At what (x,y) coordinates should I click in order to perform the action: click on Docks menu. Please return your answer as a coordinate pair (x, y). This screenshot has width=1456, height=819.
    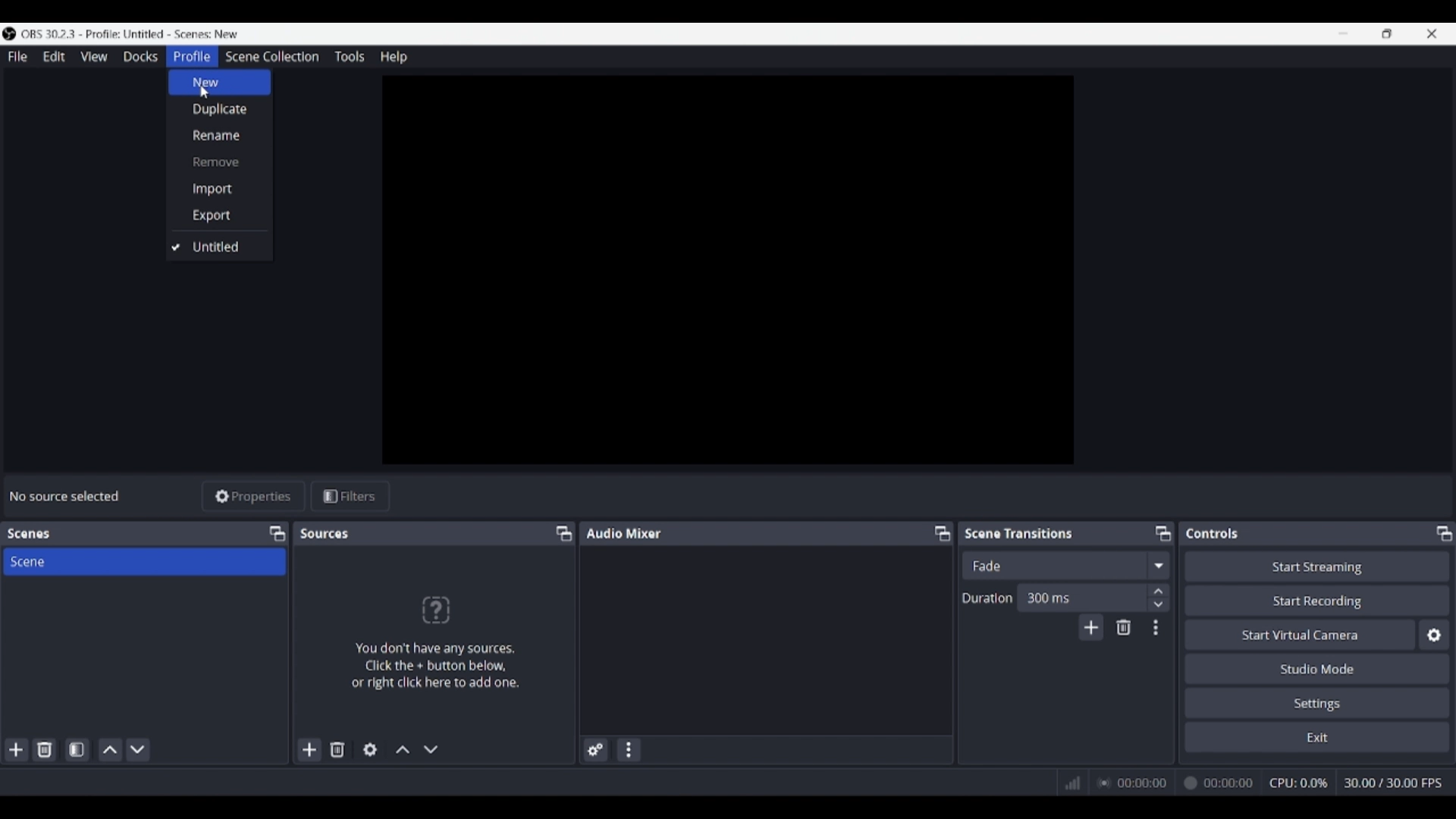
    Looking at the image, I should click on (140, 57).